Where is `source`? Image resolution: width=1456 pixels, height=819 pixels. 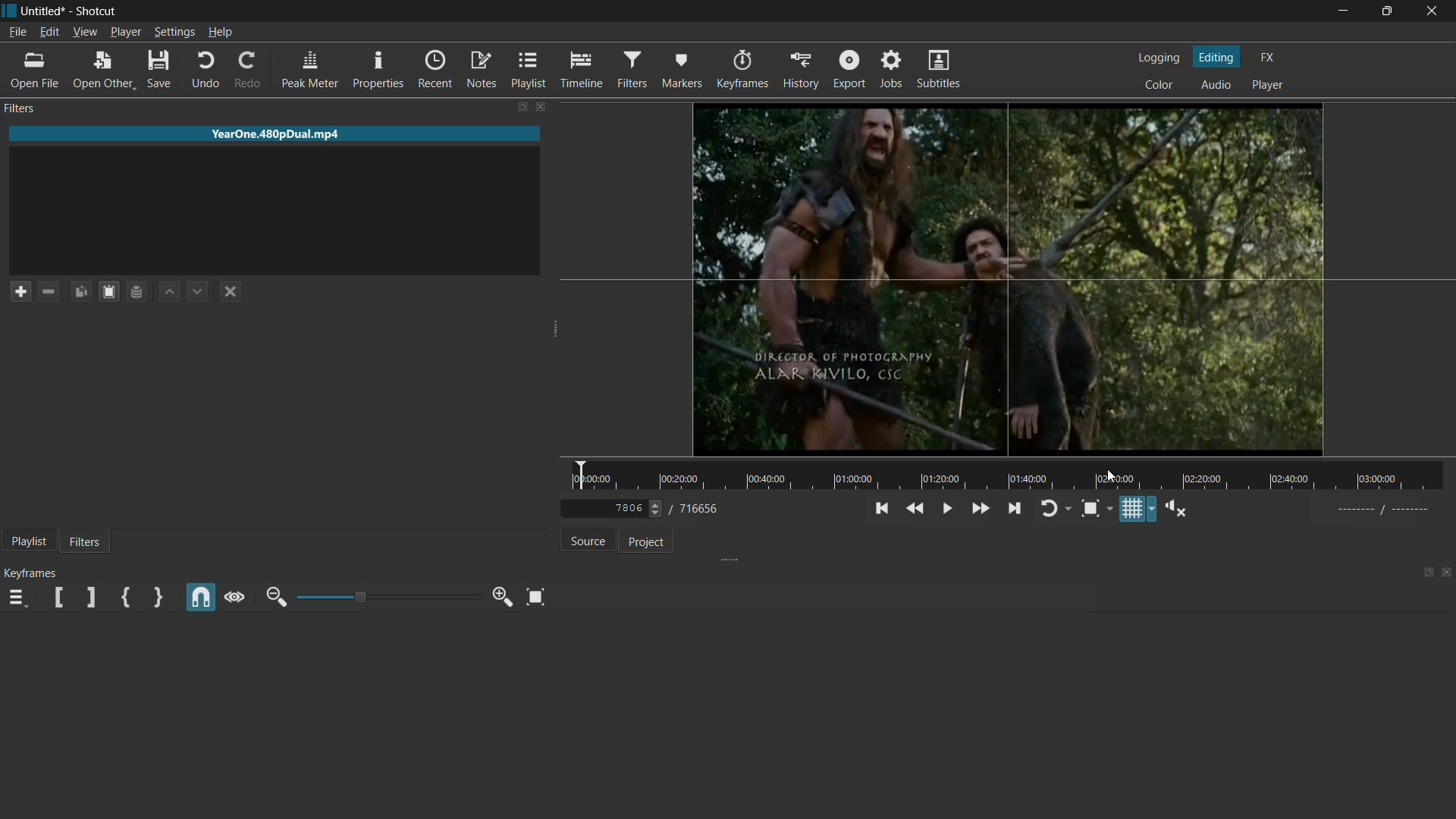
source is located at coordinates (588, 541).